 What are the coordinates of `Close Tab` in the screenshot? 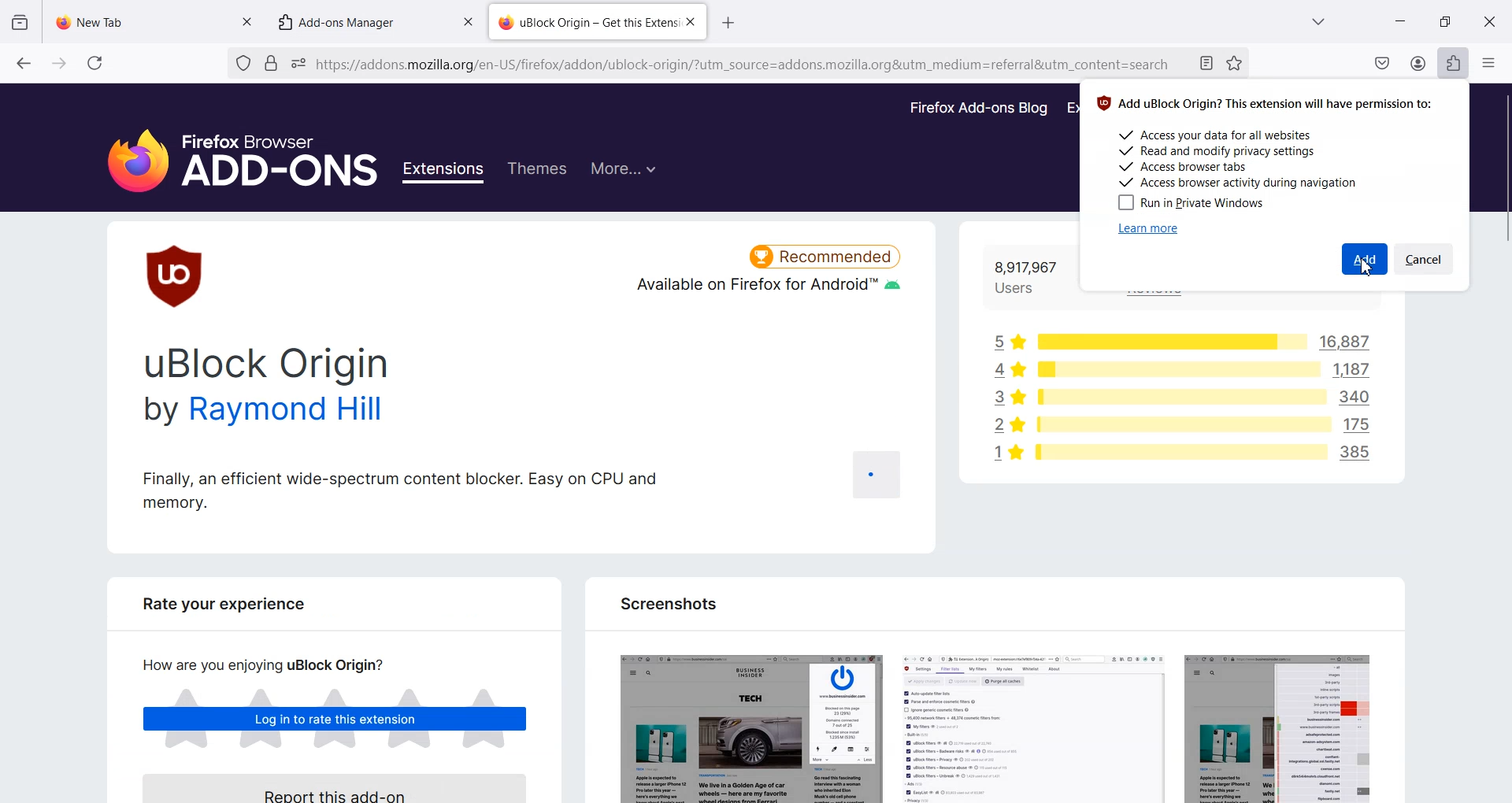 It's located at (691, 23).